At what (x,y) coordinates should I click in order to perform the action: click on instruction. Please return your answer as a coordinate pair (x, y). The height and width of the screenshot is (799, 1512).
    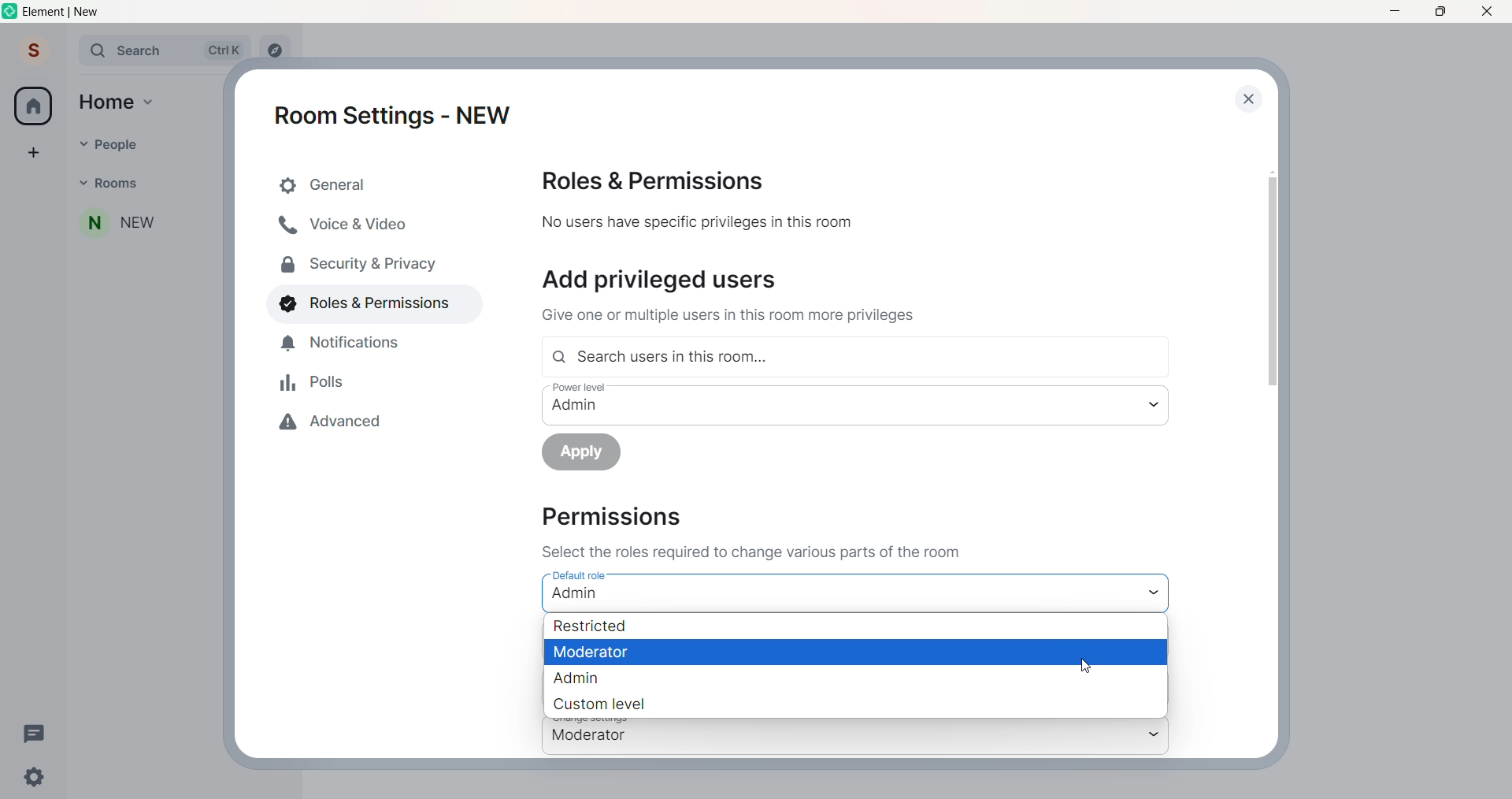
    Looking at the image, I should click on (750, 552).